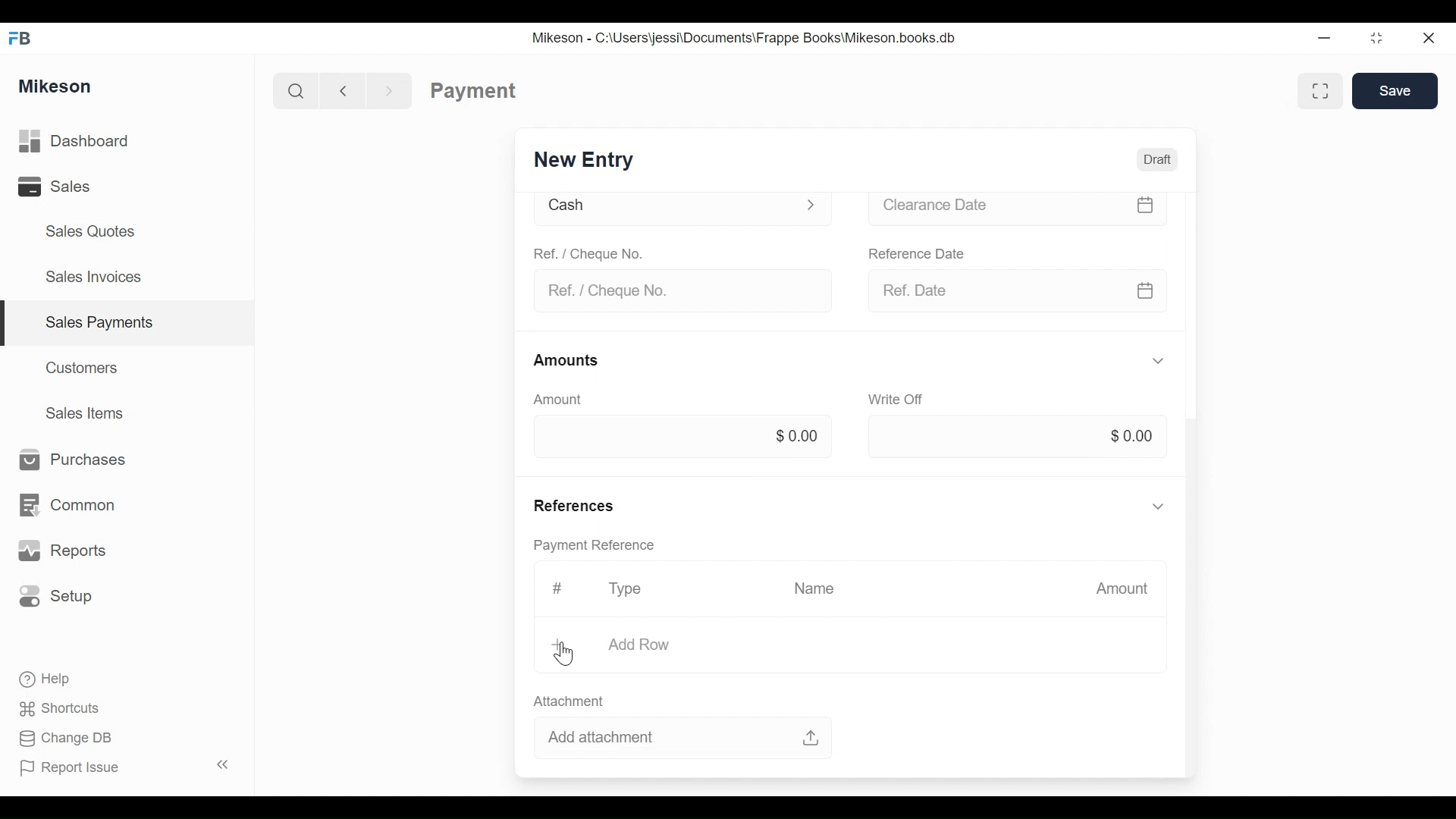 This screenshot has width=1456, height=819. Describe the element at coordinates (581, 505) in the screenshot. I see `References` at that location.